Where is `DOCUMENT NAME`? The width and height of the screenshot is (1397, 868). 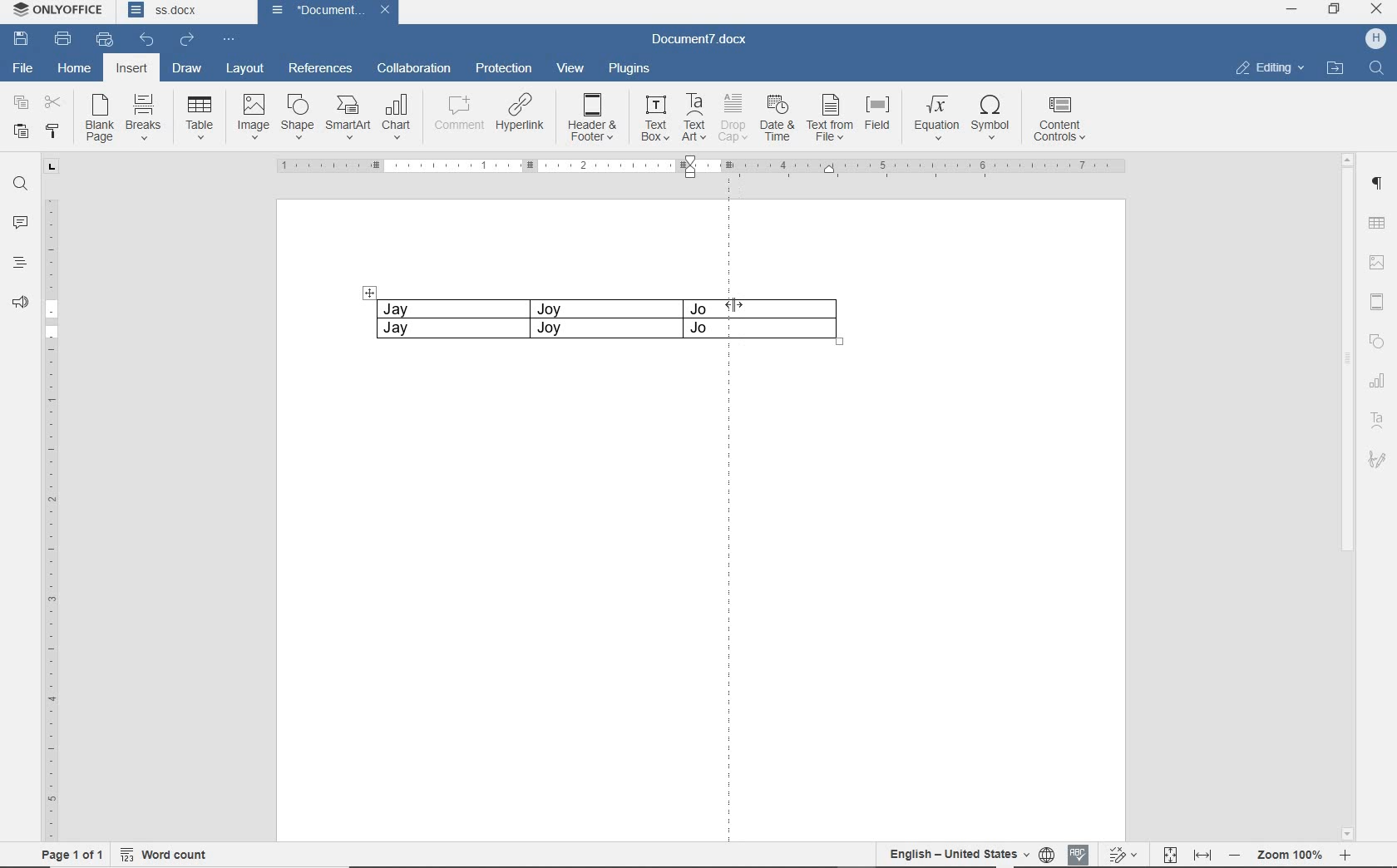 DOCUMENT NAME is located at coordinates (703, 42).